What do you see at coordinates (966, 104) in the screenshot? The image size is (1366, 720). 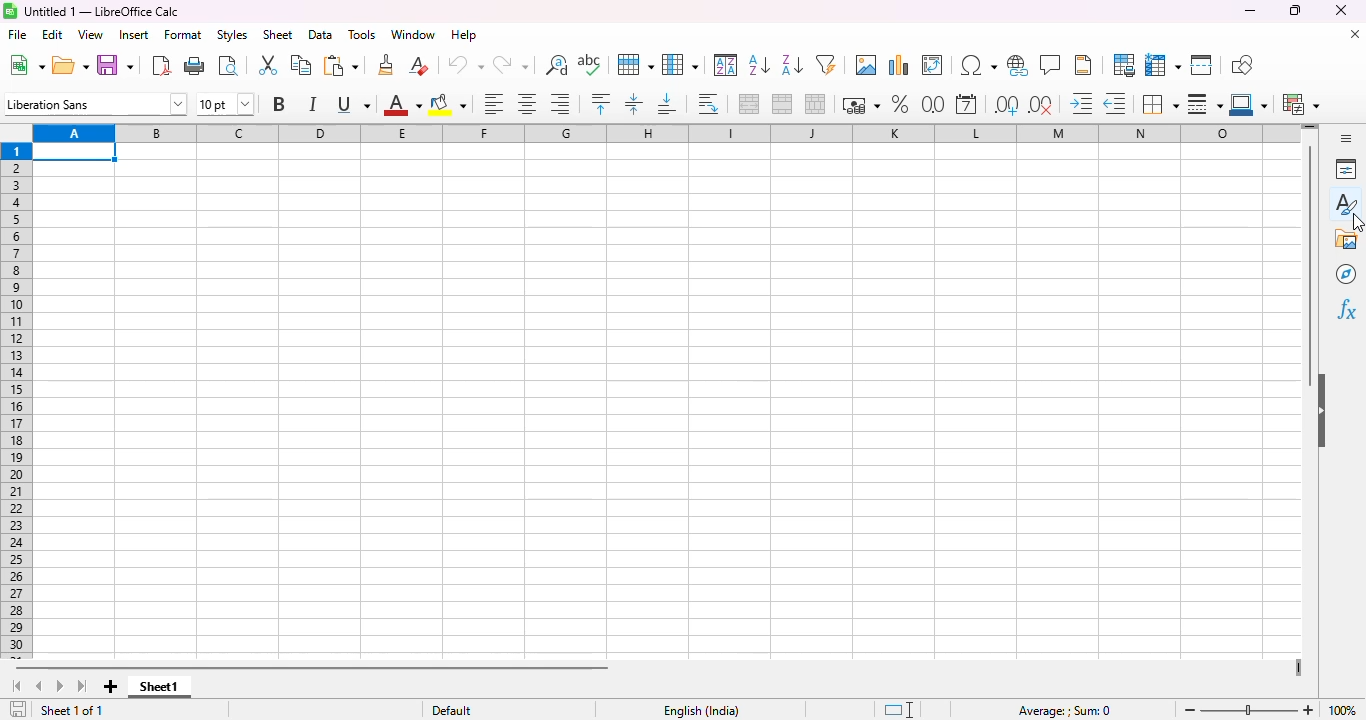 I see `format as date` at bounding box center [966, 104].